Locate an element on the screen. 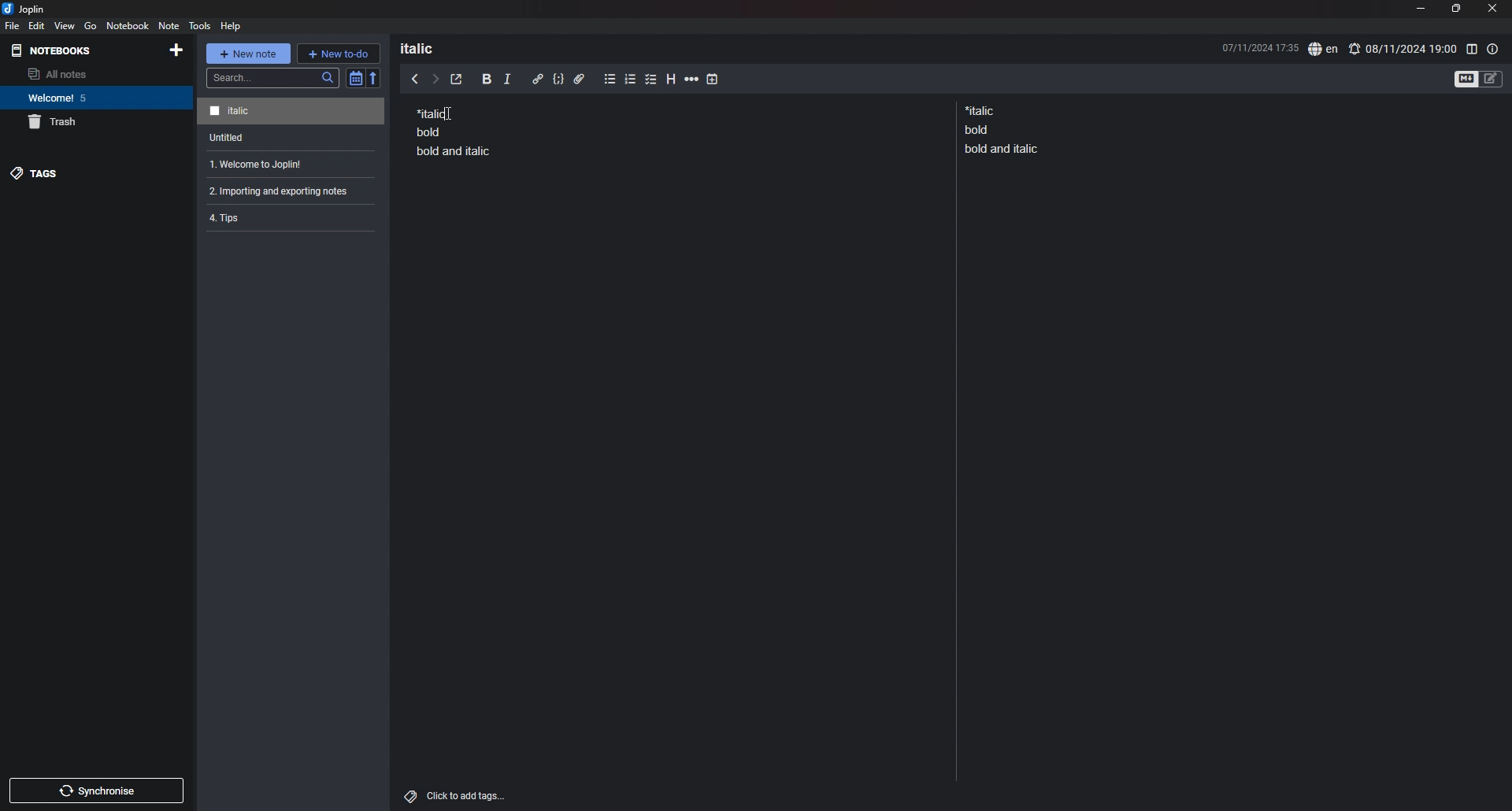 This screenshot has width=1512, height=811. heading is located at coordinates (673, 80).